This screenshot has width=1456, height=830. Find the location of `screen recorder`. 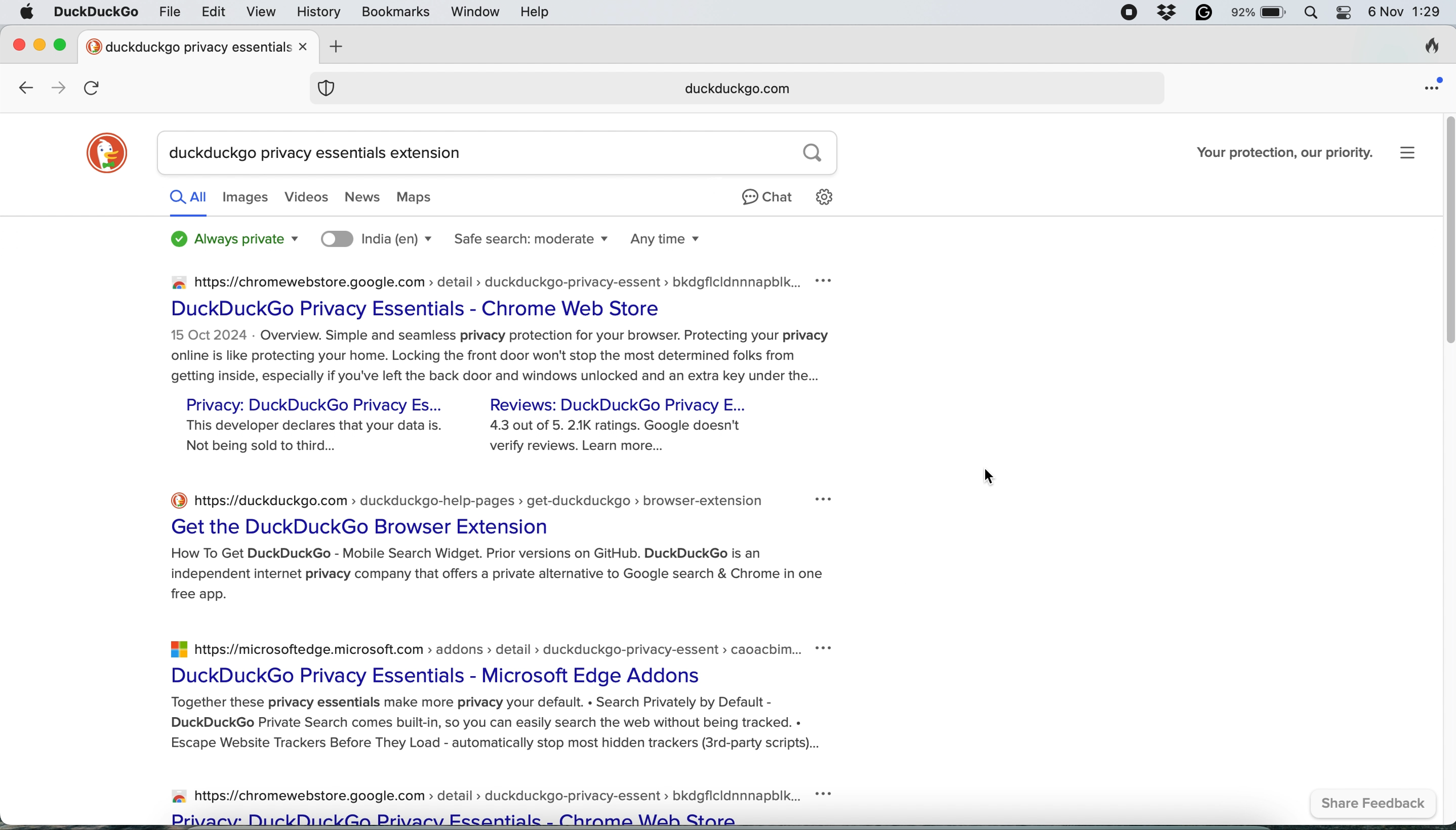

screen recorder is located at coordinates (1127, 13).